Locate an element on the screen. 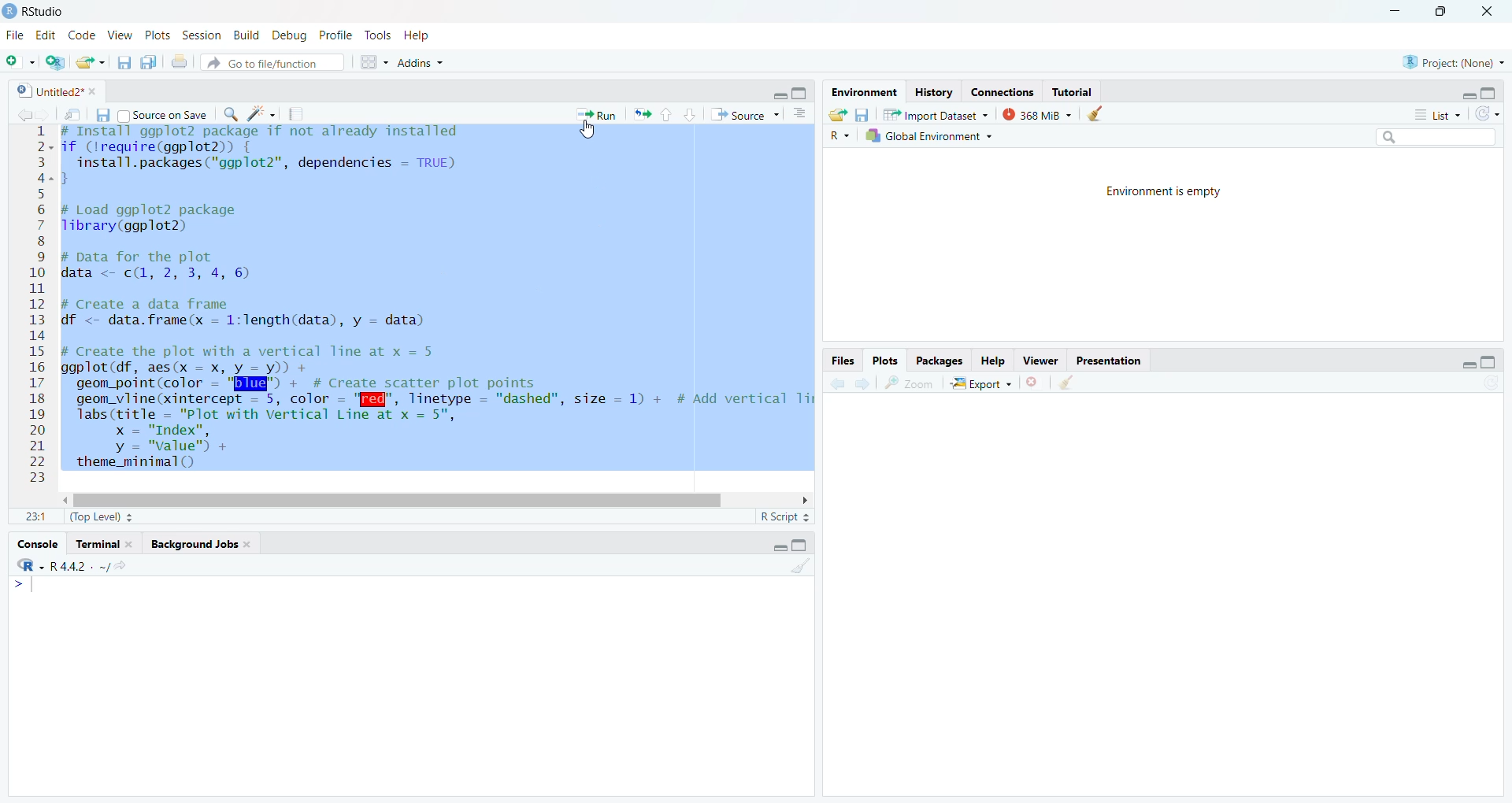 This screenshot has width=1512, height=803. export is located at coordinates (642, 115).